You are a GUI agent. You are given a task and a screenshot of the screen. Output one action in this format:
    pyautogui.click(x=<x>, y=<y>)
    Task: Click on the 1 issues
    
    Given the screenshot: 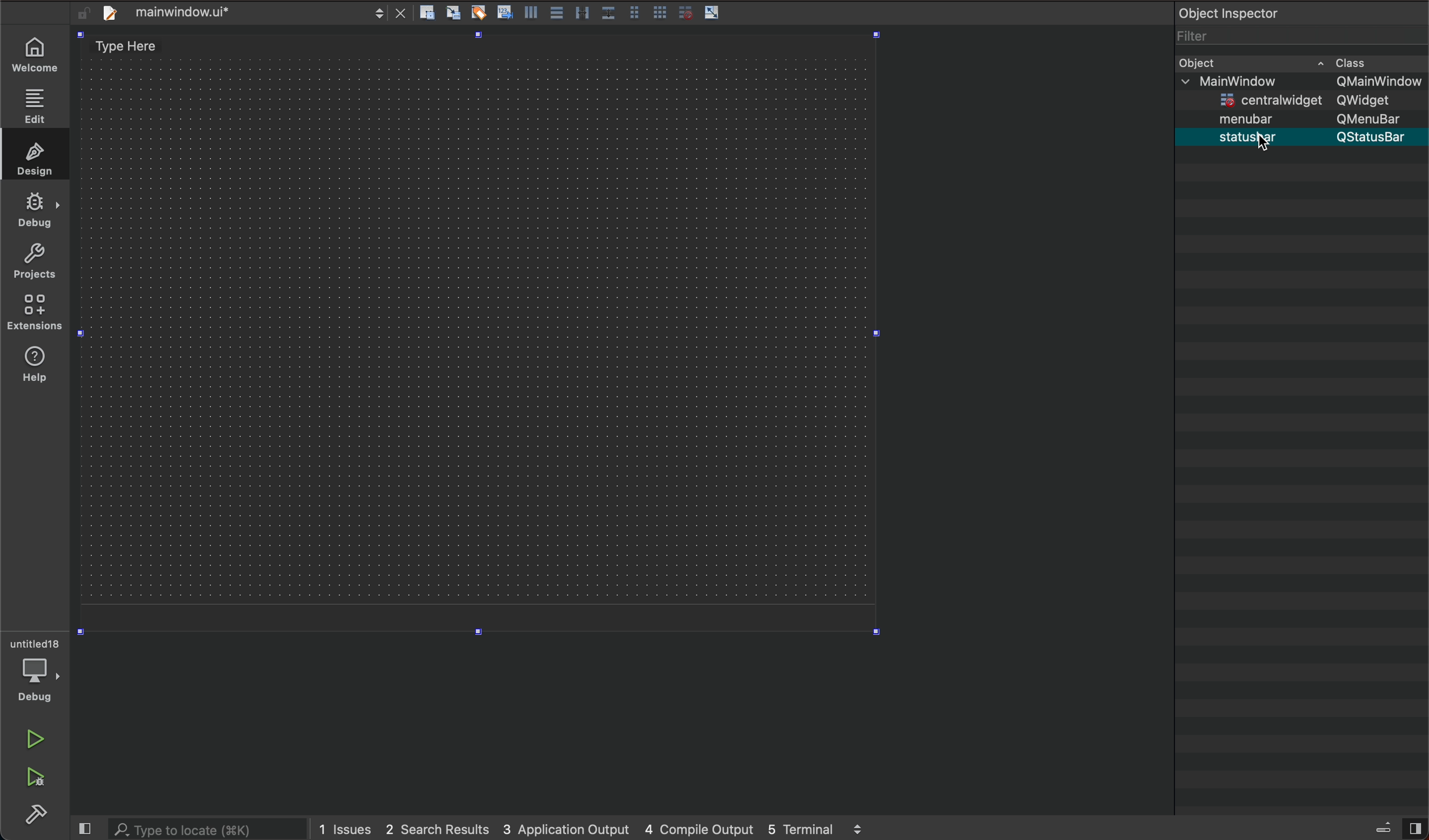 What is the action you would take?
    pyautogui.click(x=346, y=826)
    